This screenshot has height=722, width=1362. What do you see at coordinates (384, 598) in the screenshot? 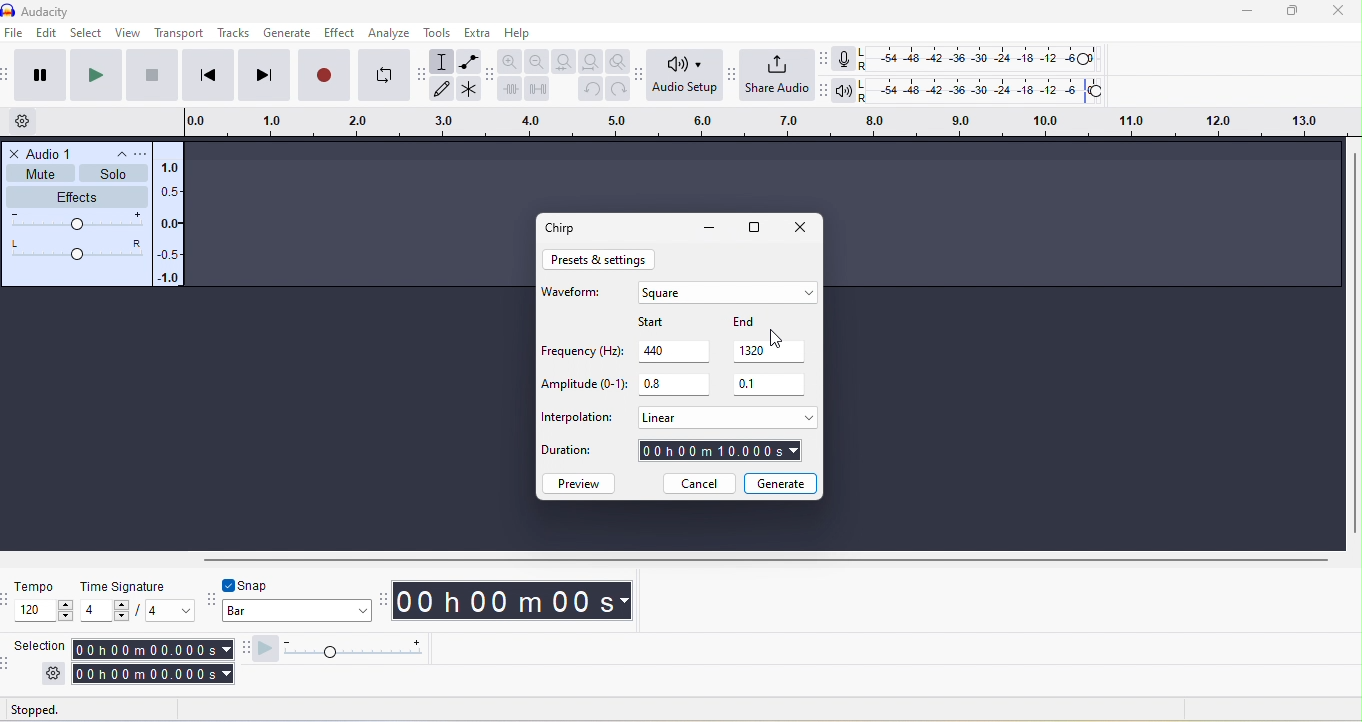
I see `audacity time toolbar` at bounding box center [384, 598].